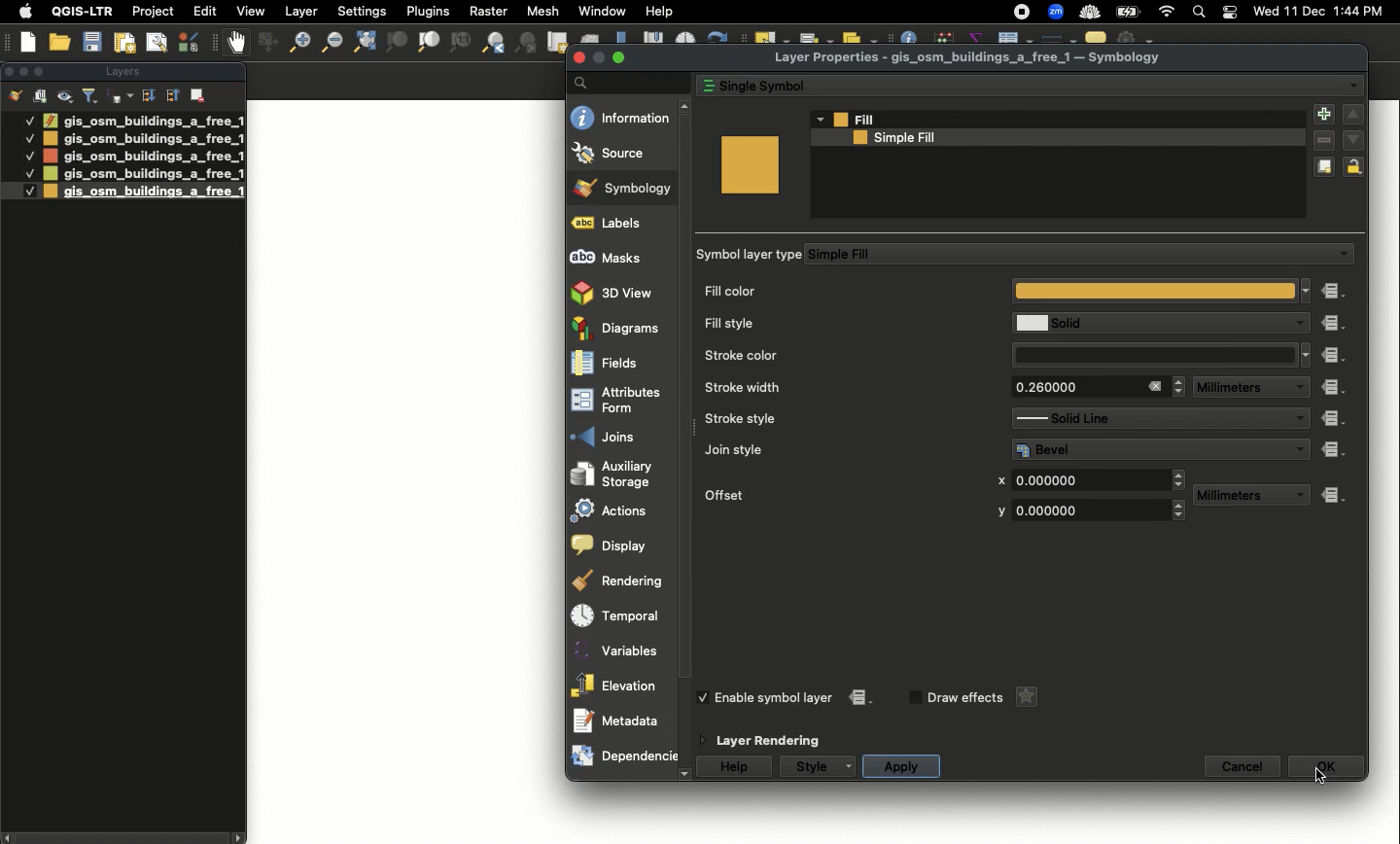  What do you see at coordinates (148, 96) in the screenshot?
I see `Sort descending` at bounding box center [148, 96].